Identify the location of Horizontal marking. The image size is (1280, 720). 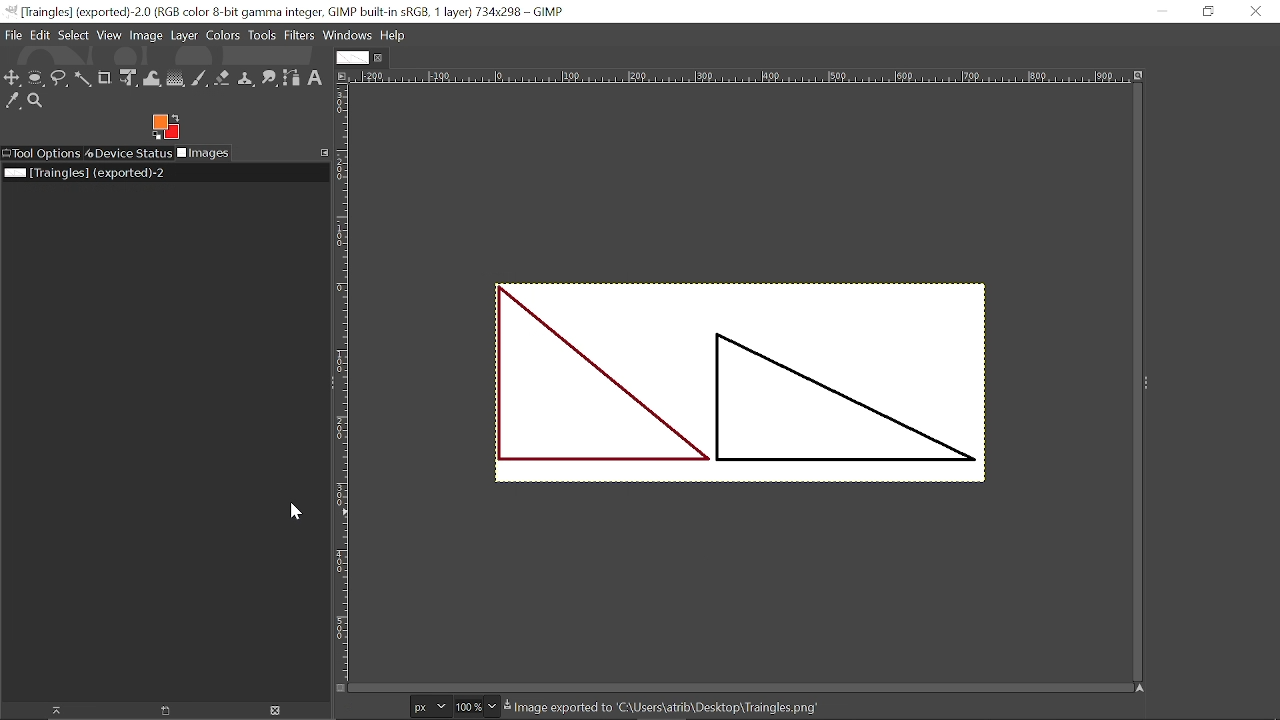
(738, 77).